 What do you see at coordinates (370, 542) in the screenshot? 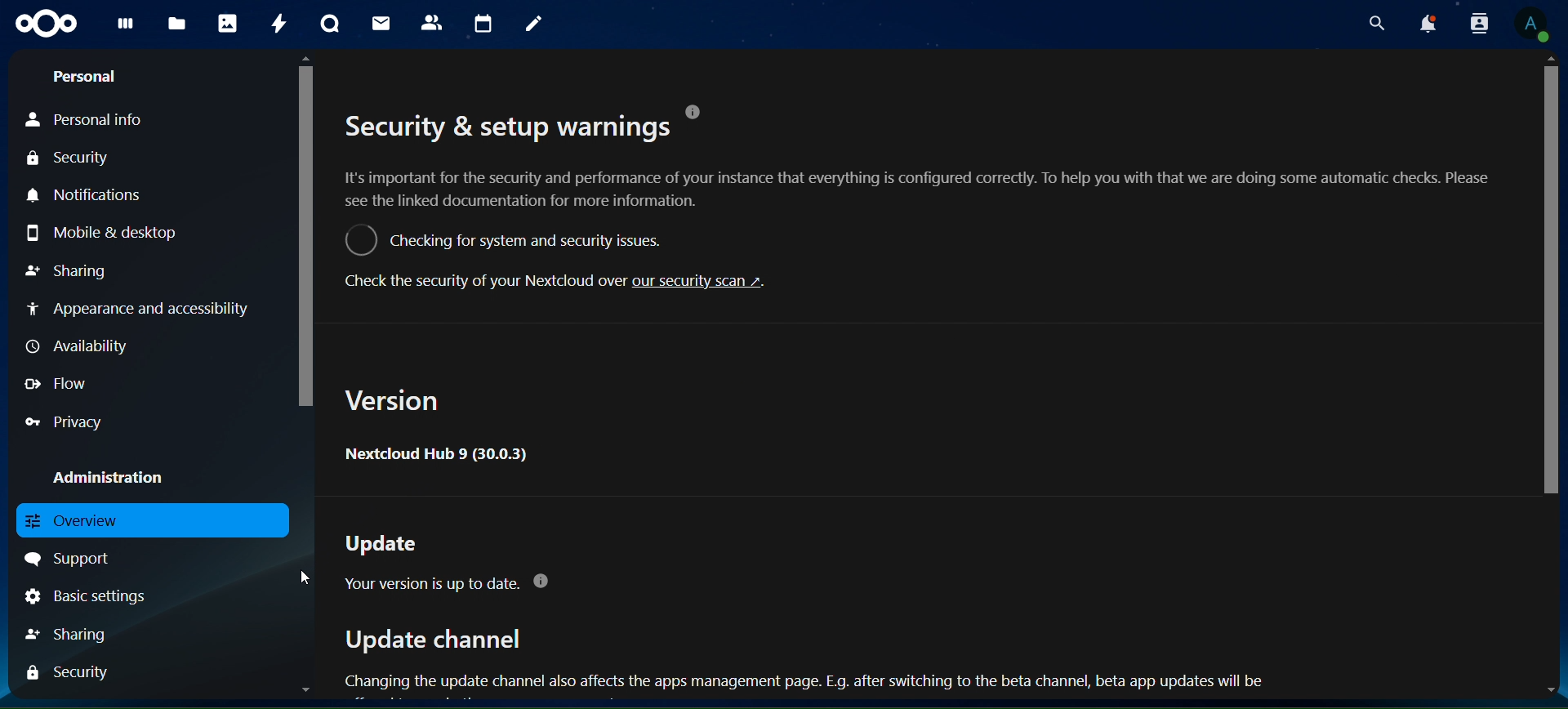
I see `Update` at bounding box center [370, 542].